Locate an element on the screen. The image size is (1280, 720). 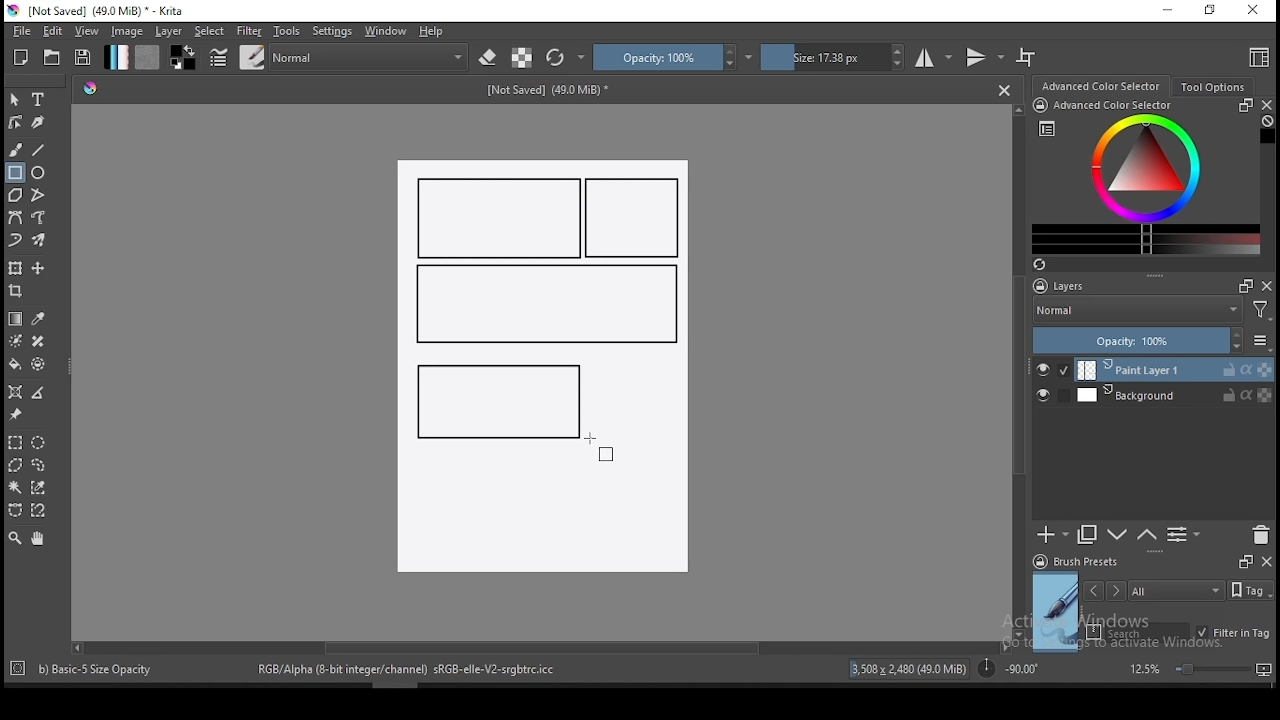
layer is located at coordinates (1174, 395).